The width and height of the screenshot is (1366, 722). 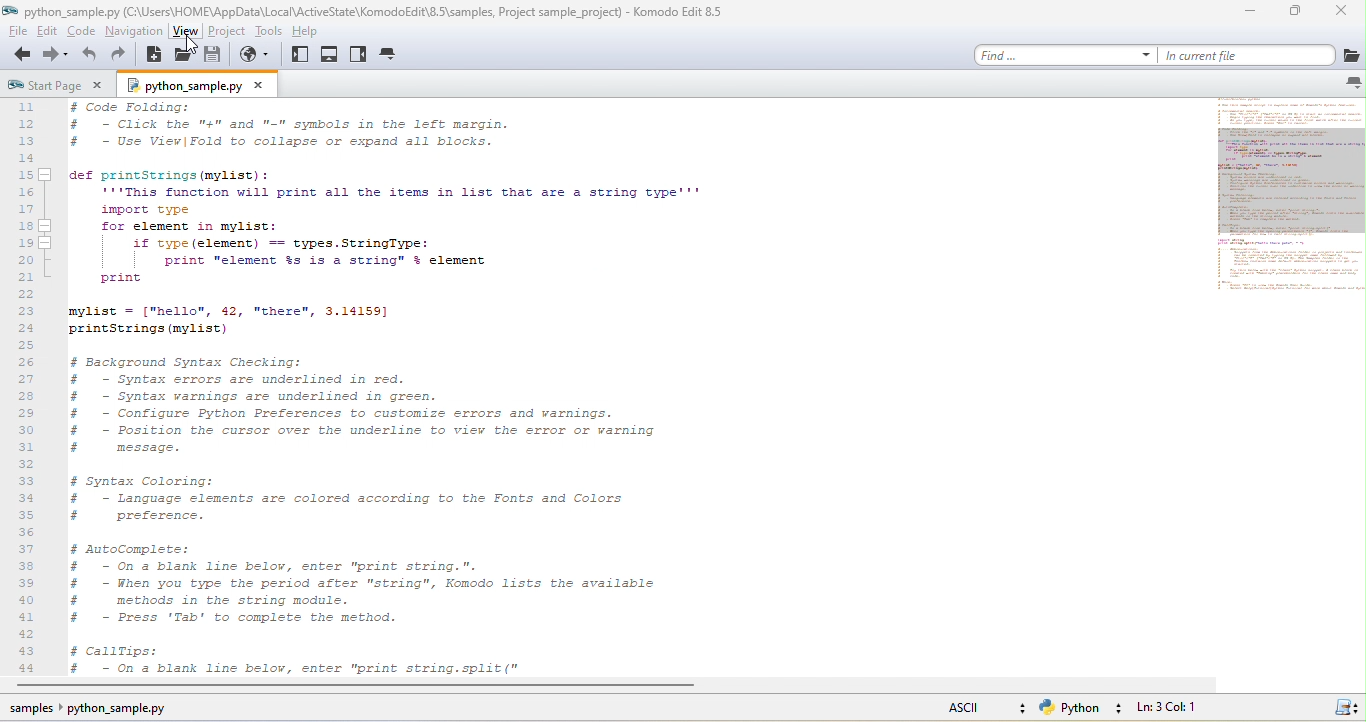 What do you see at coordinates (232, 35) in the screenshot?
I see `project` at bounding box center [232, 35].